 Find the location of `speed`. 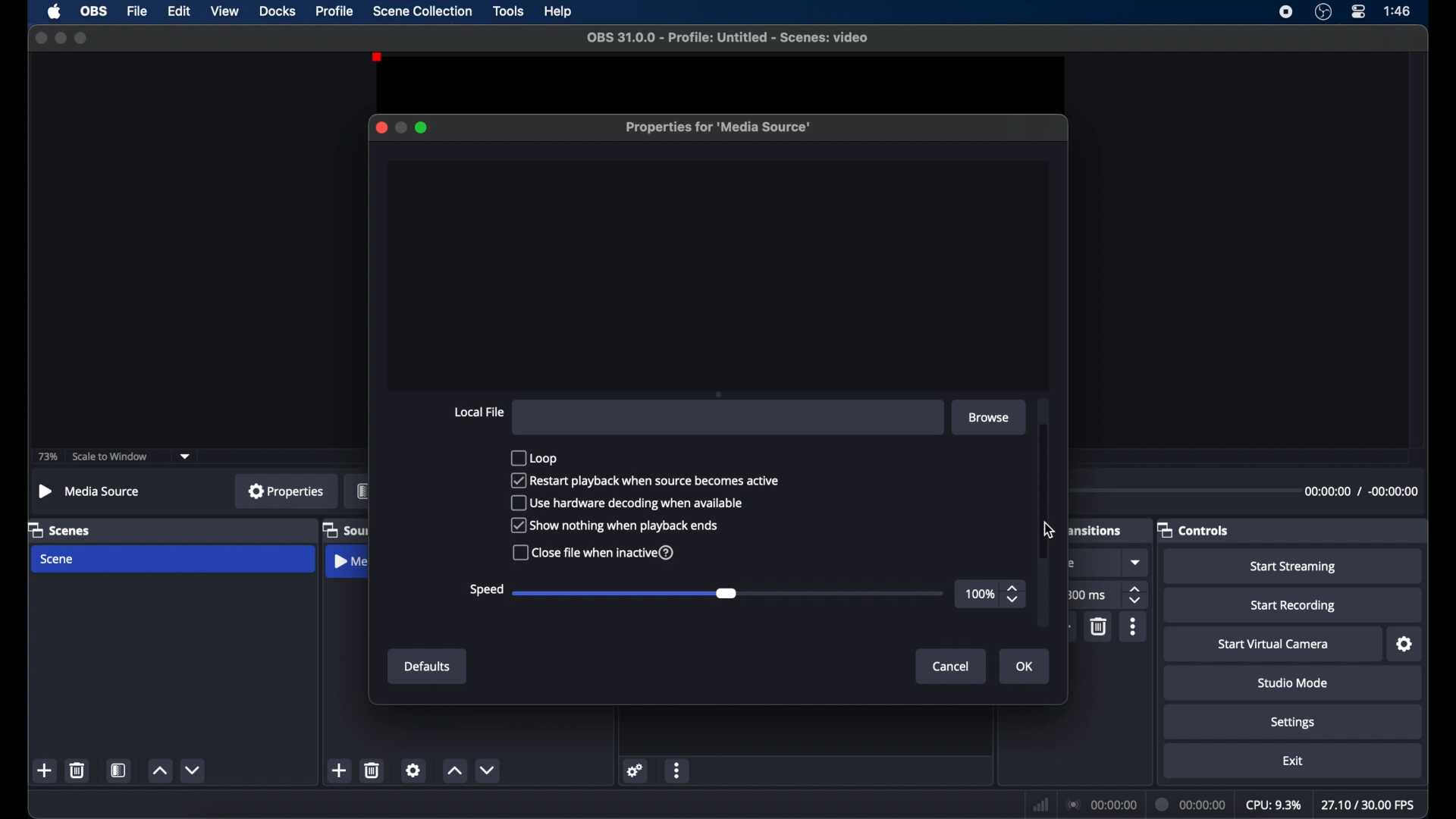

speed is located at coordinates (484, 589).